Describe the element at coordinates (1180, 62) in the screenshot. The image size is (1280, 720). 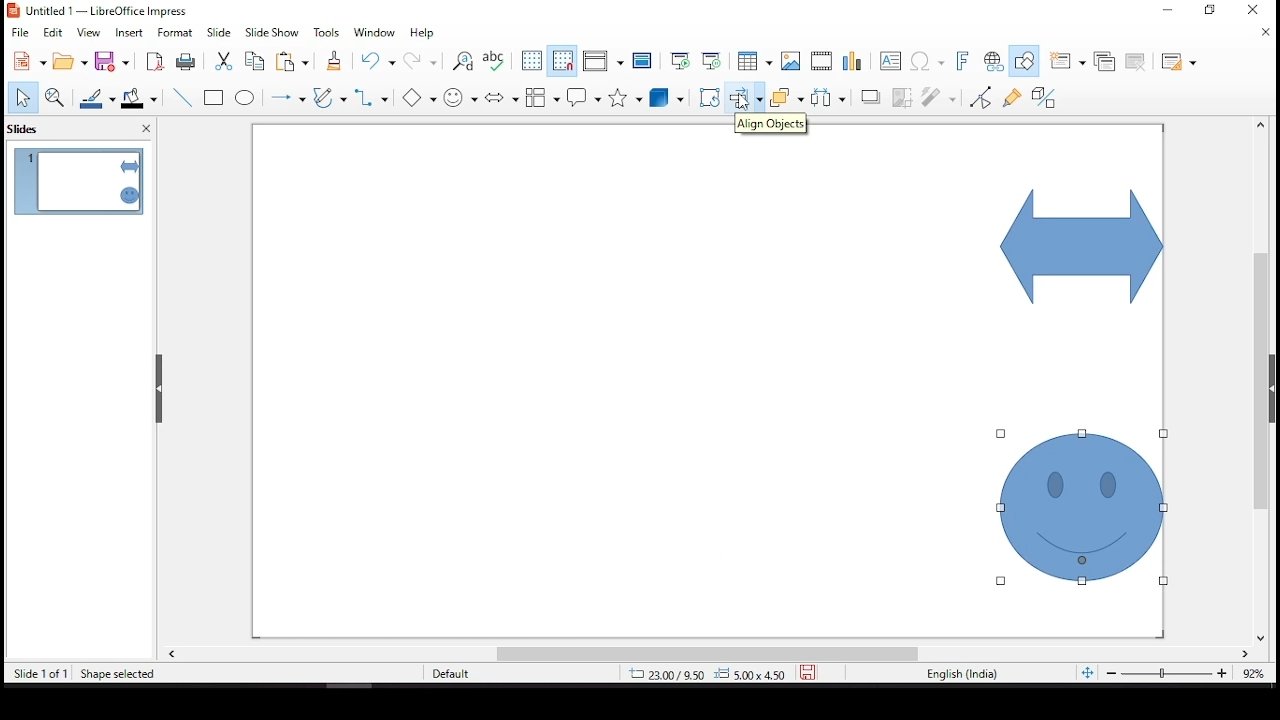
I see `slide layout` at that location.